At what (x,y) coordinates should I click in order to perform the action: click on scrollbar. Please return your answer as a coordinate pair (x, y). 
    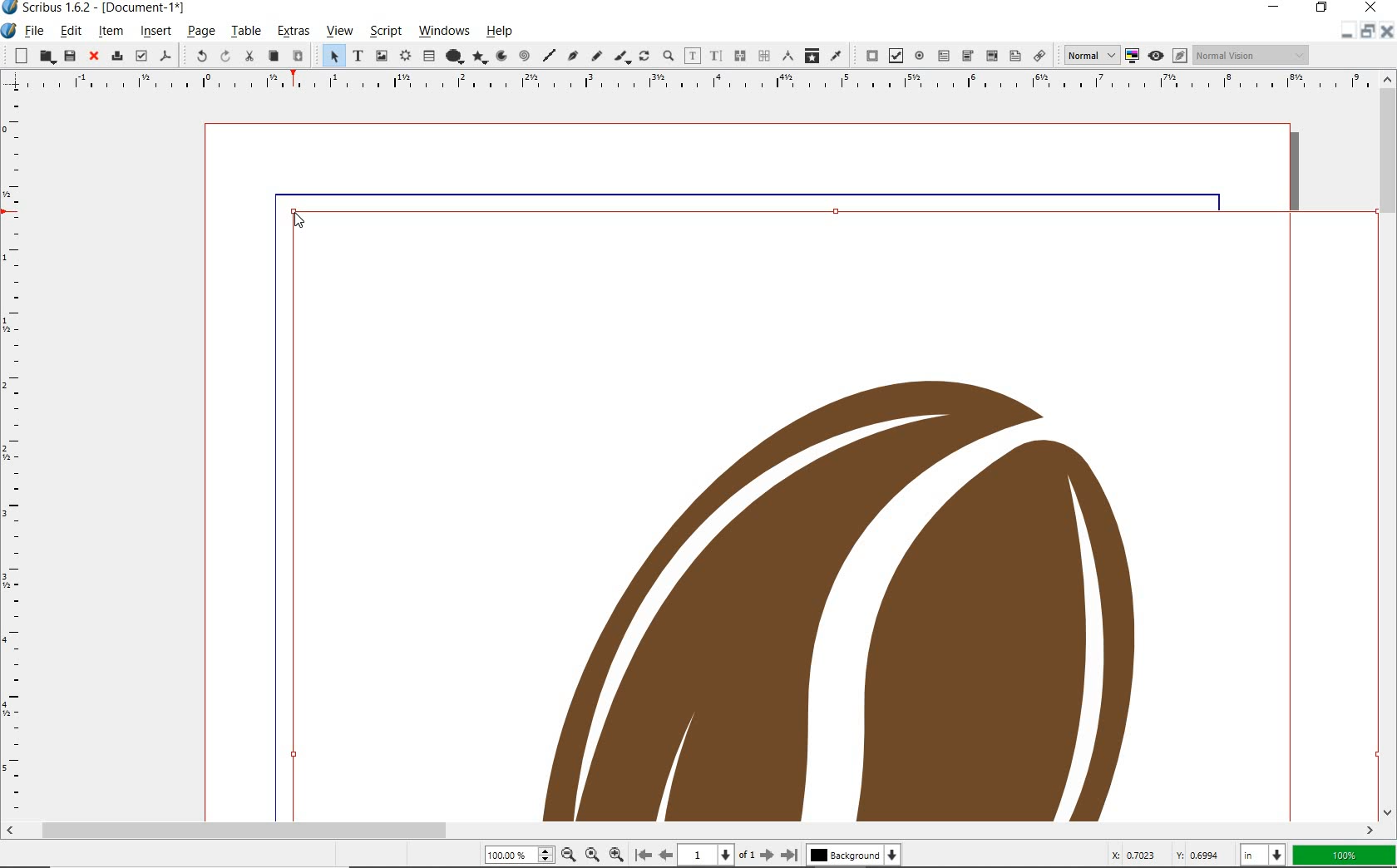
    Looking at the image, I should click on (1389, 446).